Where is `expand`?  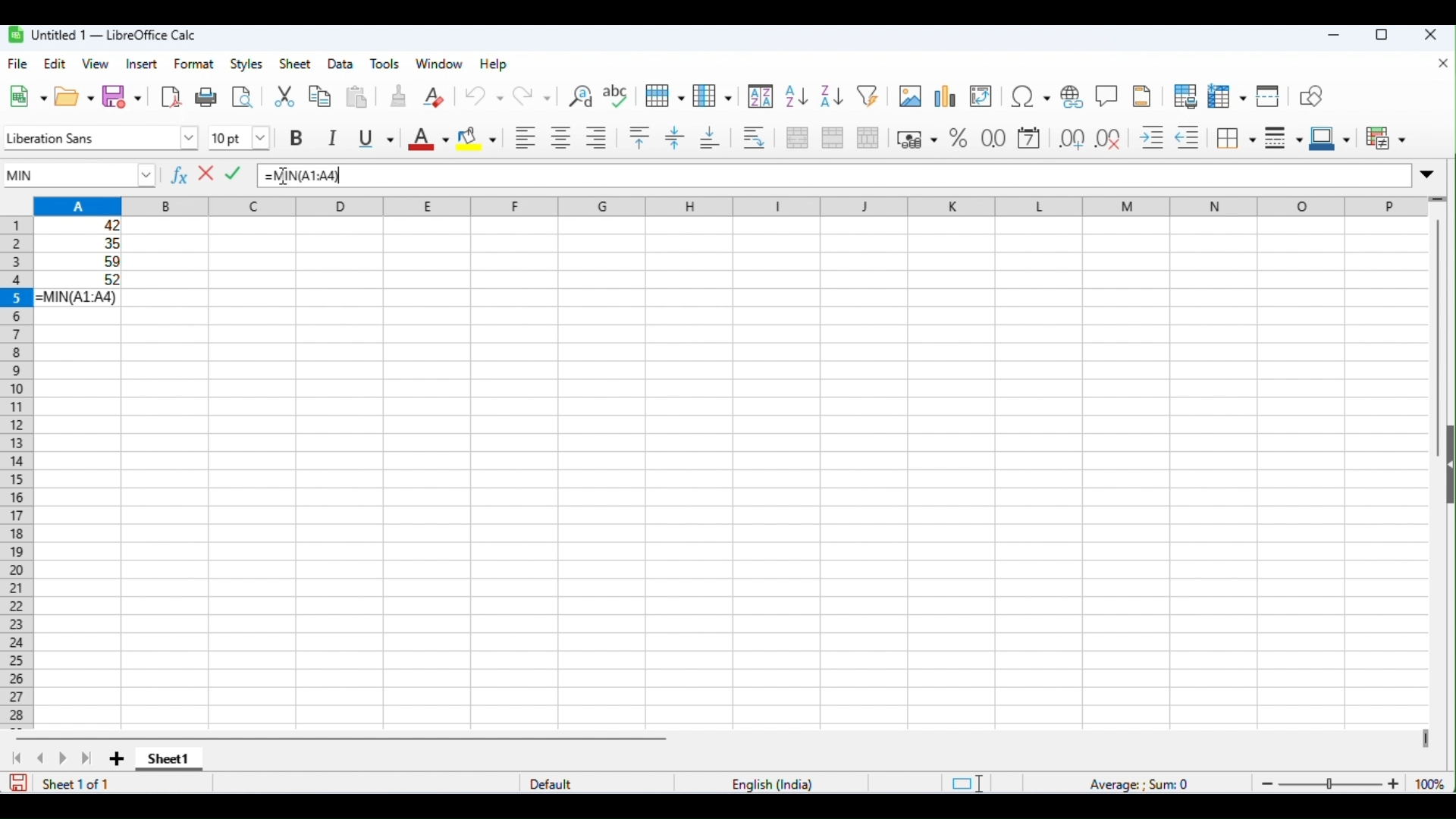 expand is located at coordinates (1429, 173).